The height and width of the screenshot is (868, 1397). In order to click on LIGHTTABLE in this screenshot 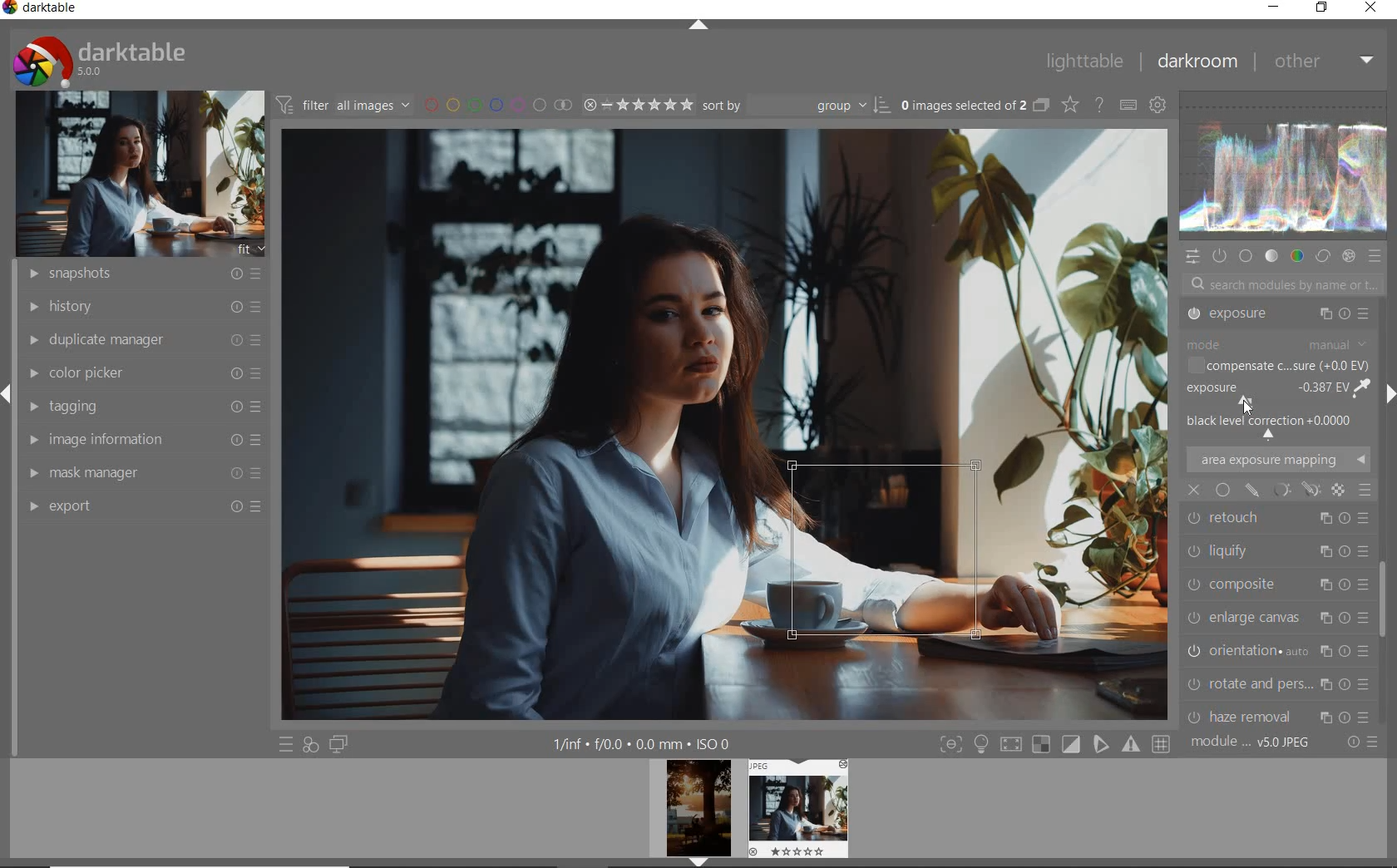, I will do `click(1085, 62)`.